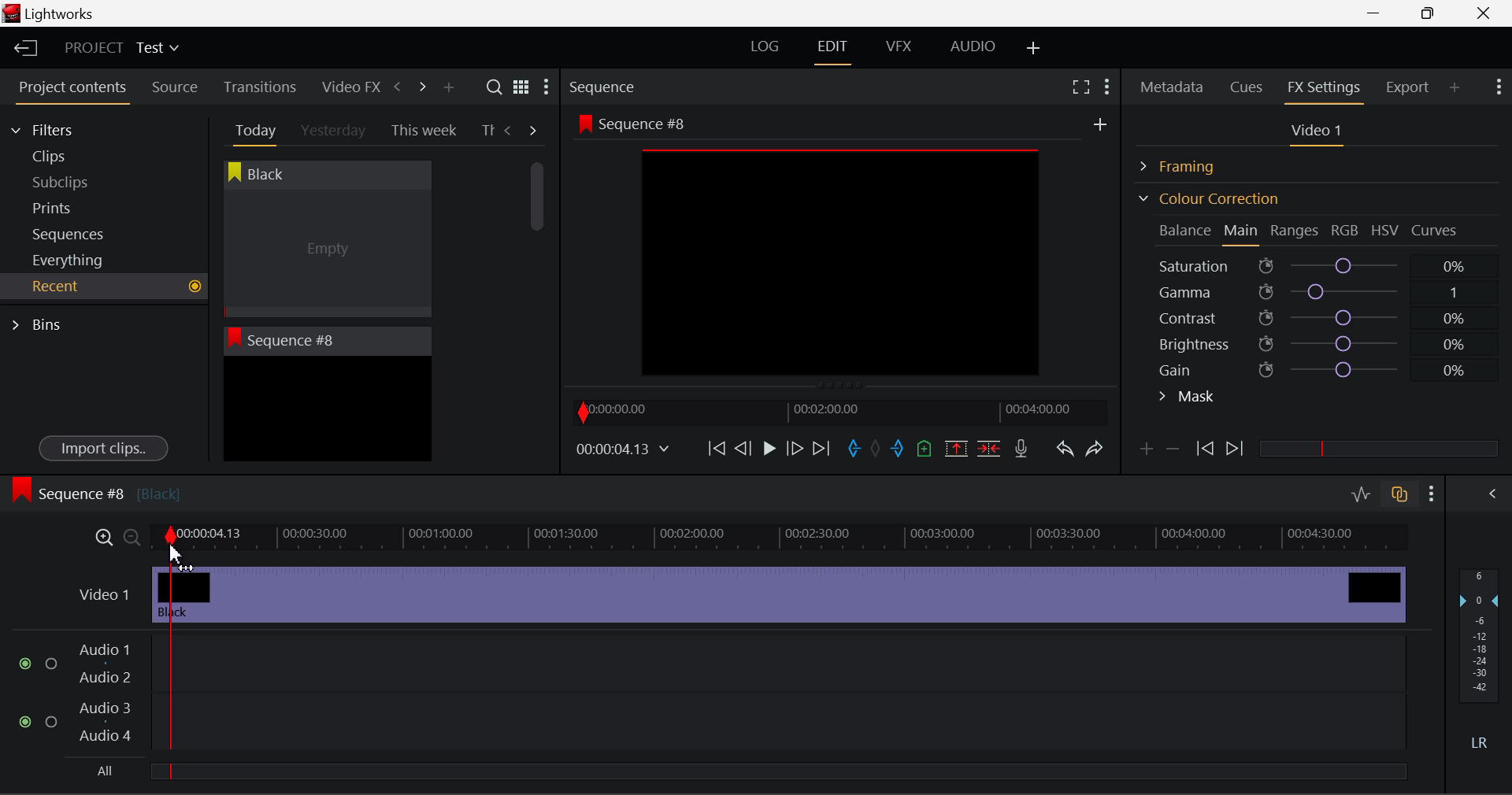  What do you see at coordinates (95, 490) in the screenshot?
I see `Sequence #8` at bounding box center [95, 490].